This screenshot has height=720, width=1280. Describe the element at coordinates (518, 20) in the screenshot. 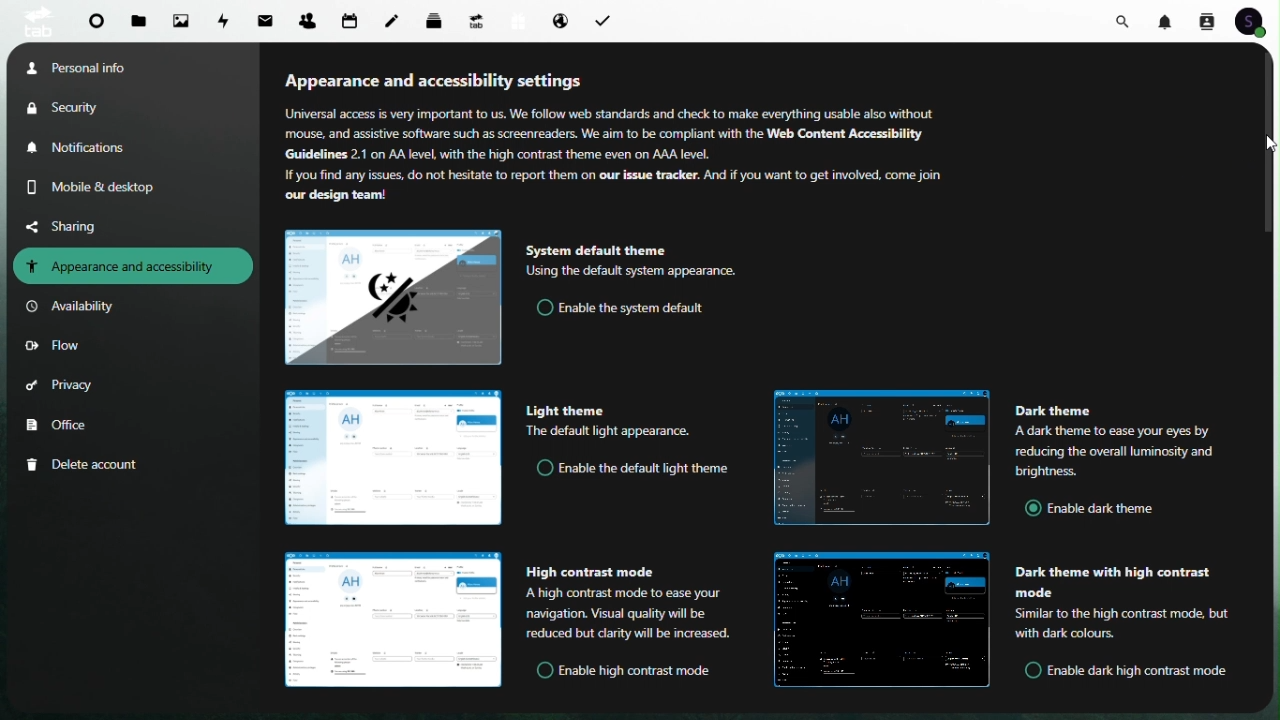

I see `free trail` at that location.